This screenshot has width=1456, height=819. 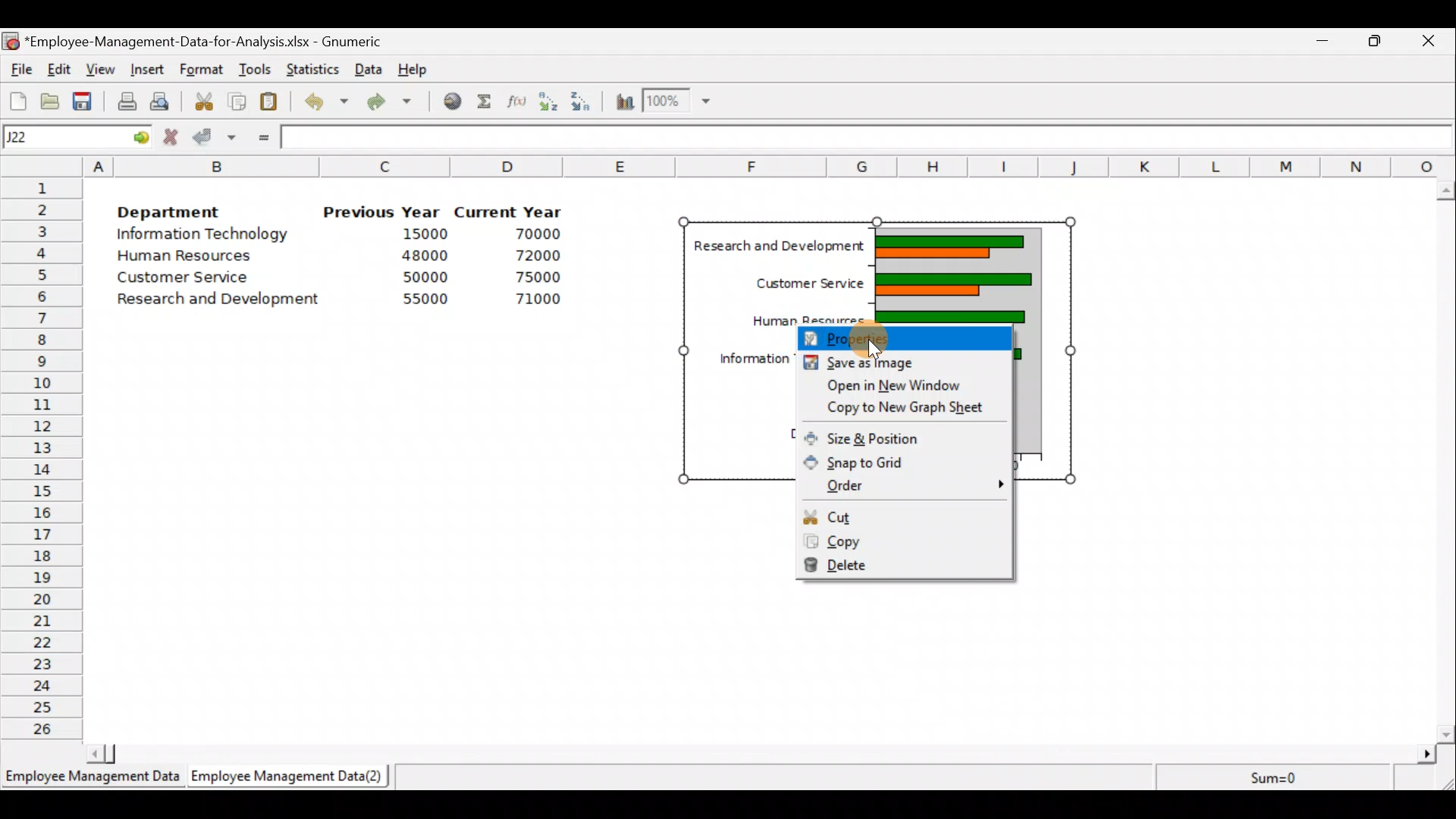 What do you see at coordinates (541, 253) in the screenshot?
I see `72000` at bounding box center [541, 253].